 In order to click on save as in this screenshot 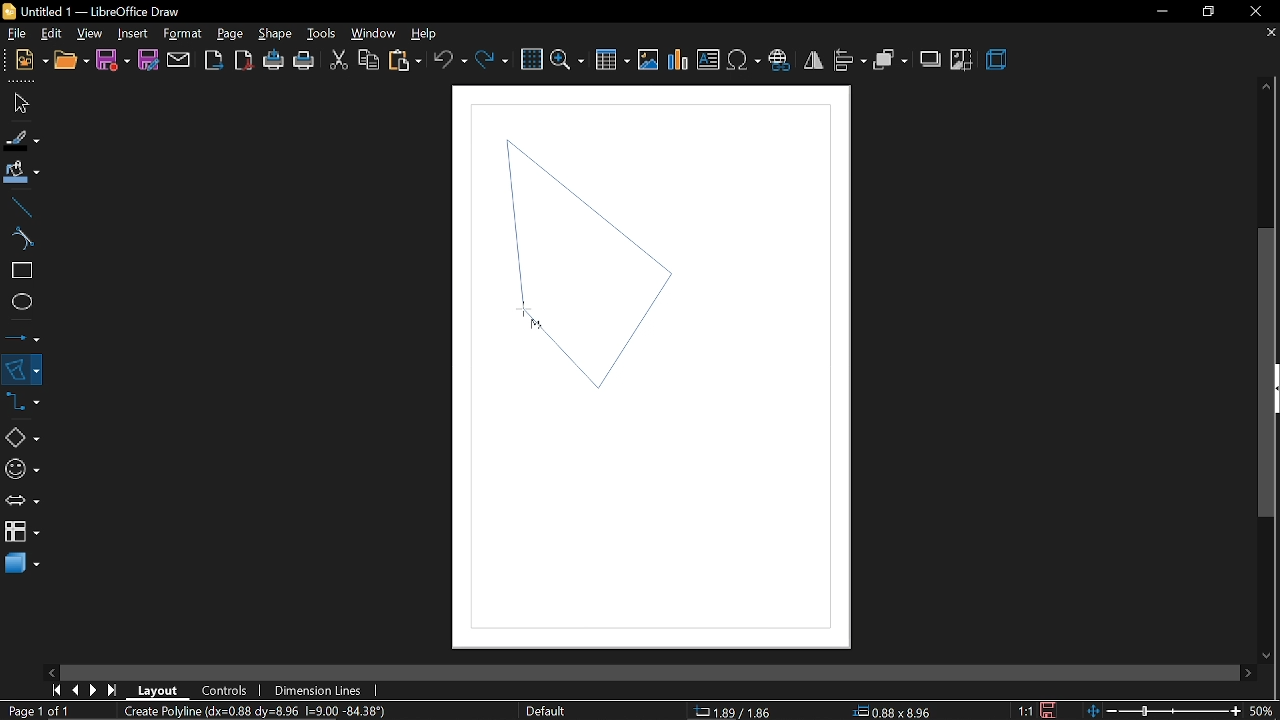, I will do `click(148, 61)`.